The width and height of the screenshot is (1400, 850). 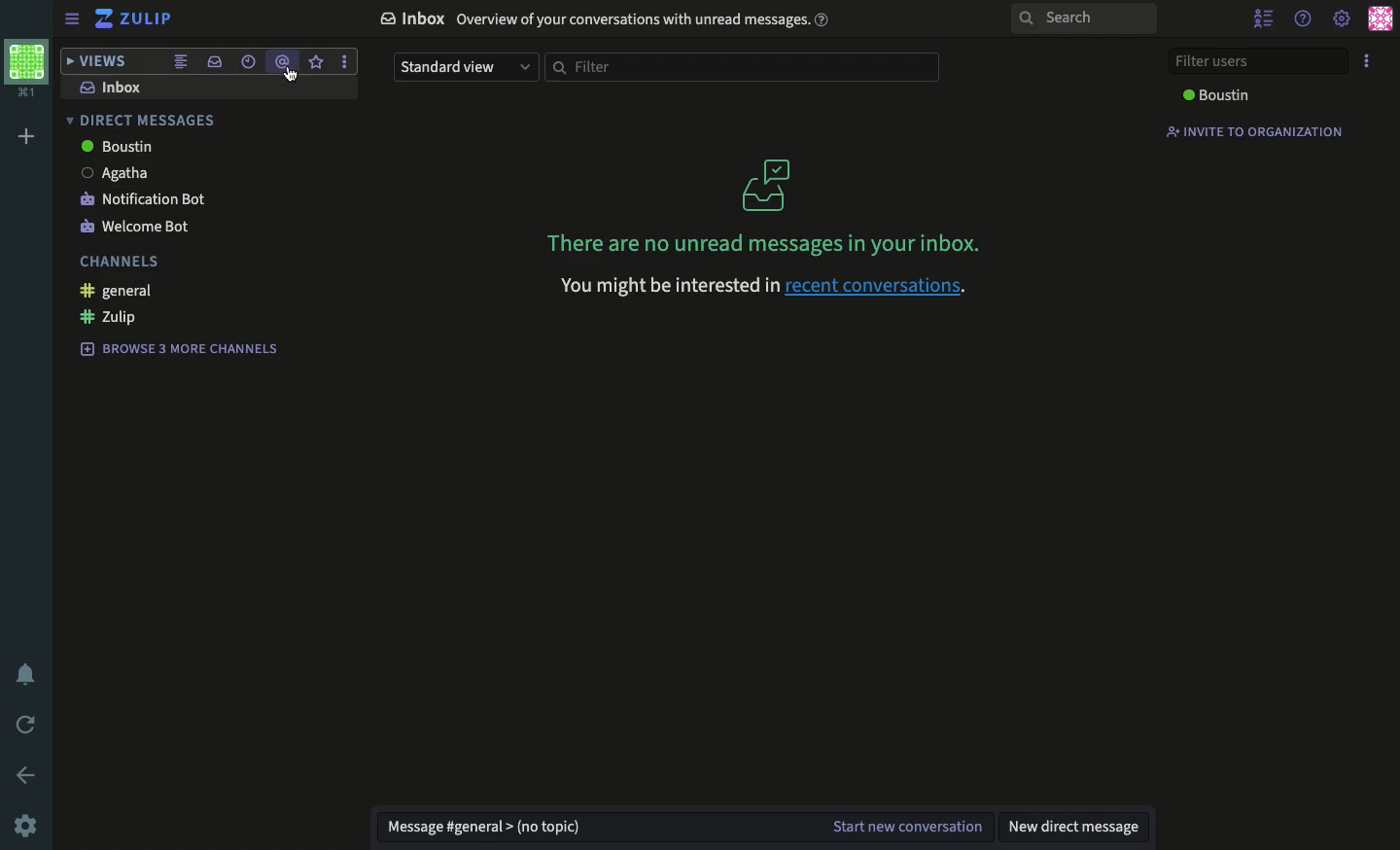 I want to click on you might be interested in, so click(x=671, y=285).